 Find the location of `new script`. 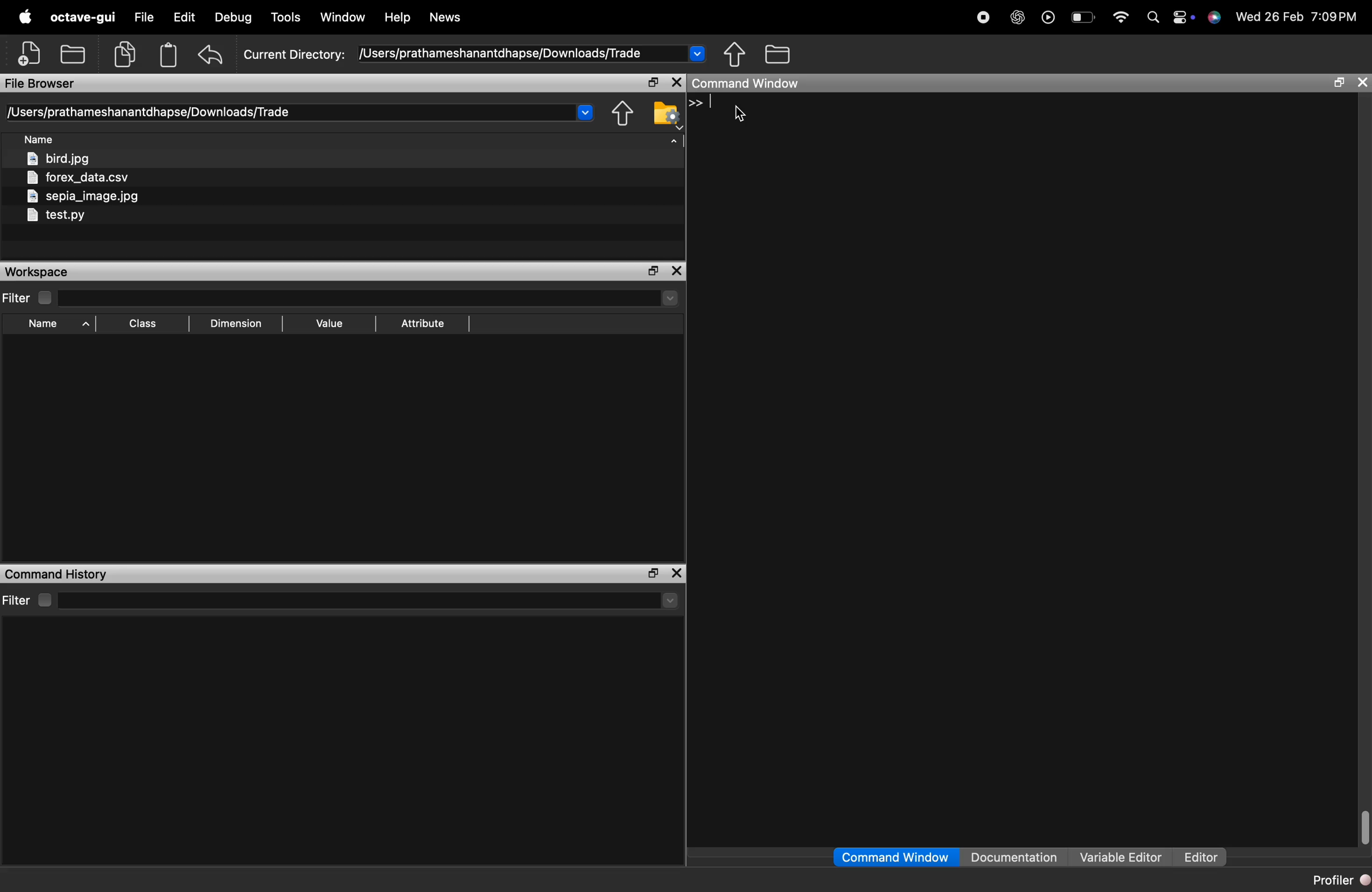

new script is located at coordinates (30, 54).